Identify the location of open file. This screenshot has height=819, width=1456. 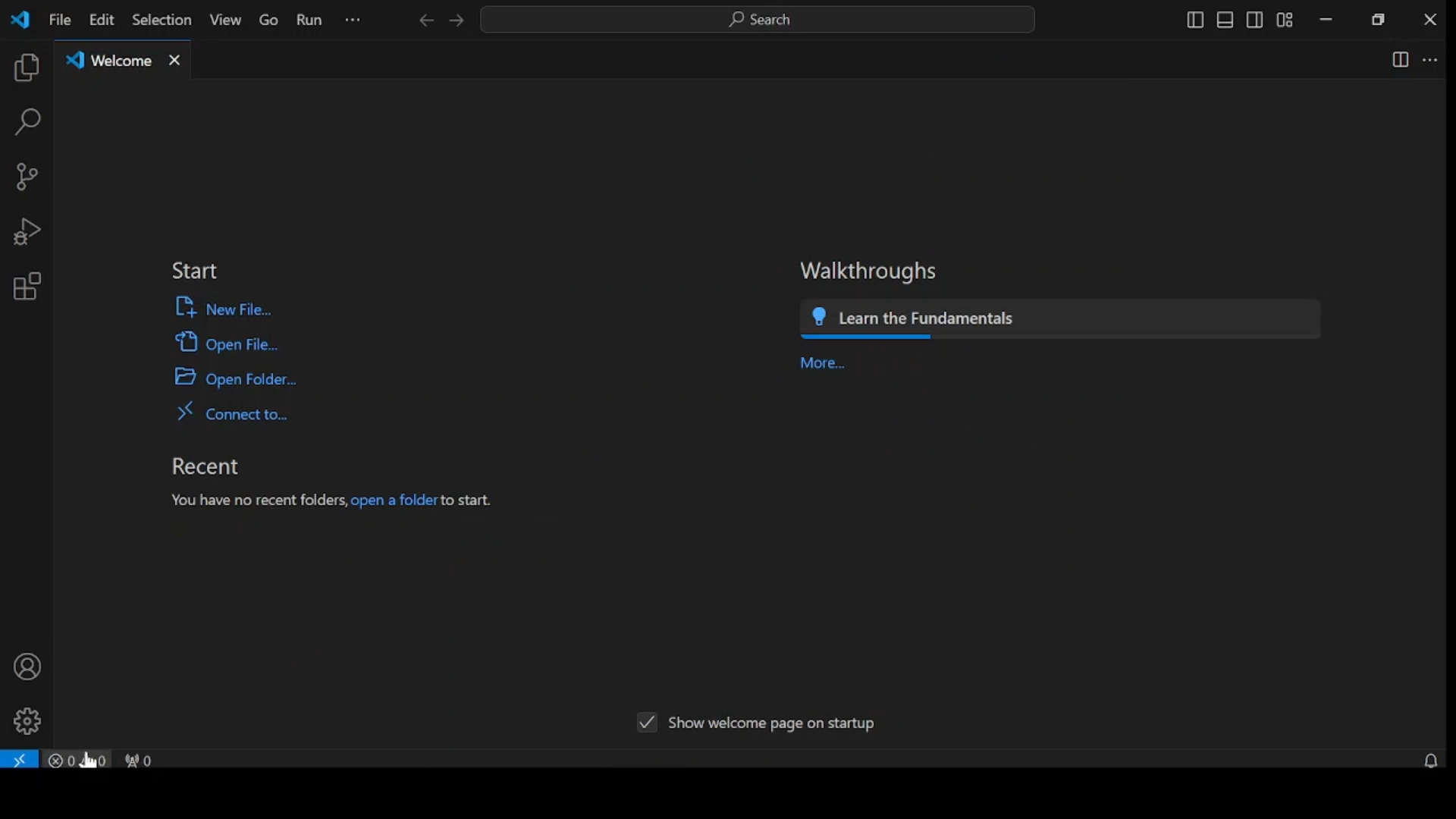
(227, 343).